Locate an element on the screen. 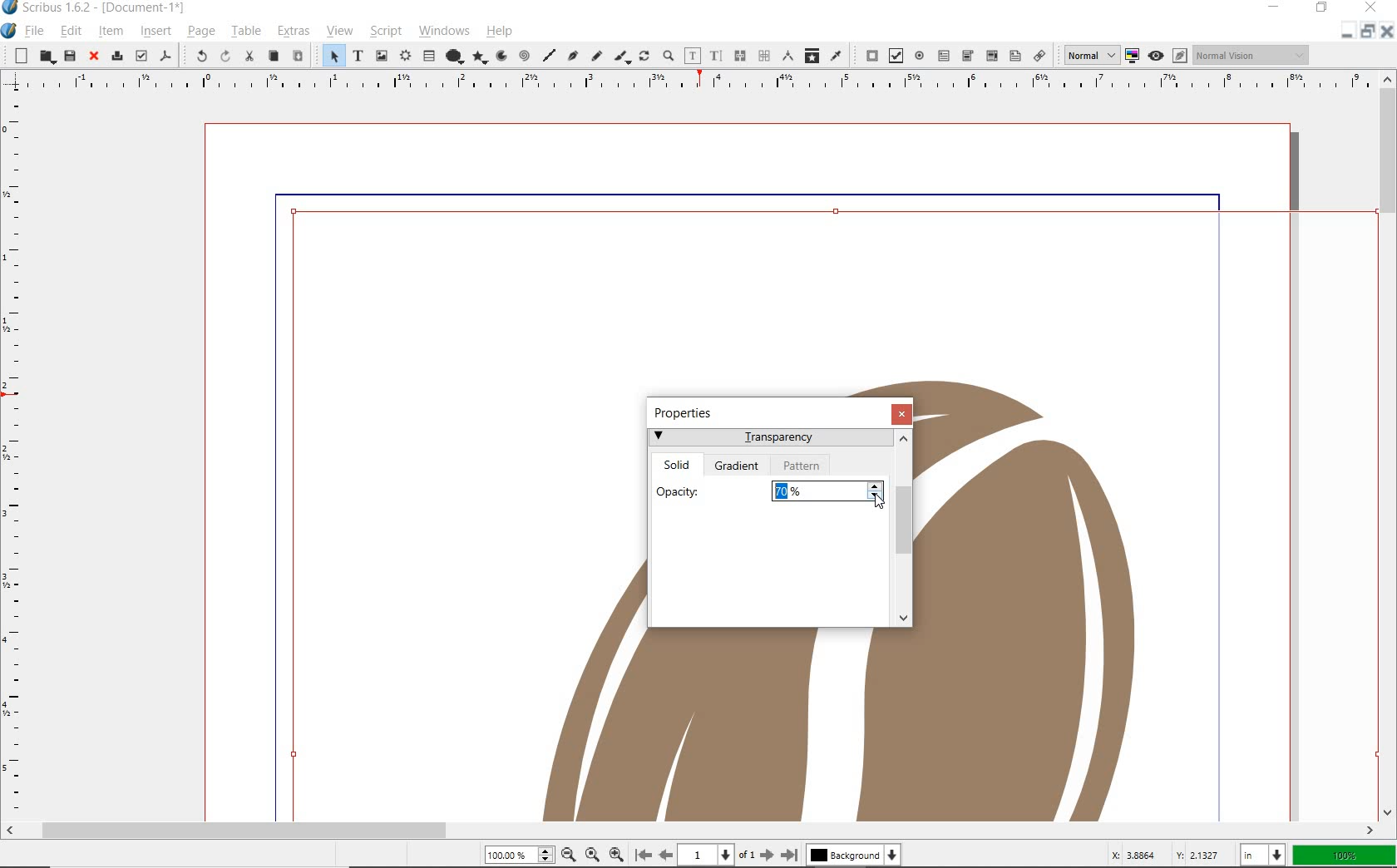 The width and height of the screenshot is (1397, 868). Normal is located at coordinates (1087, 55).